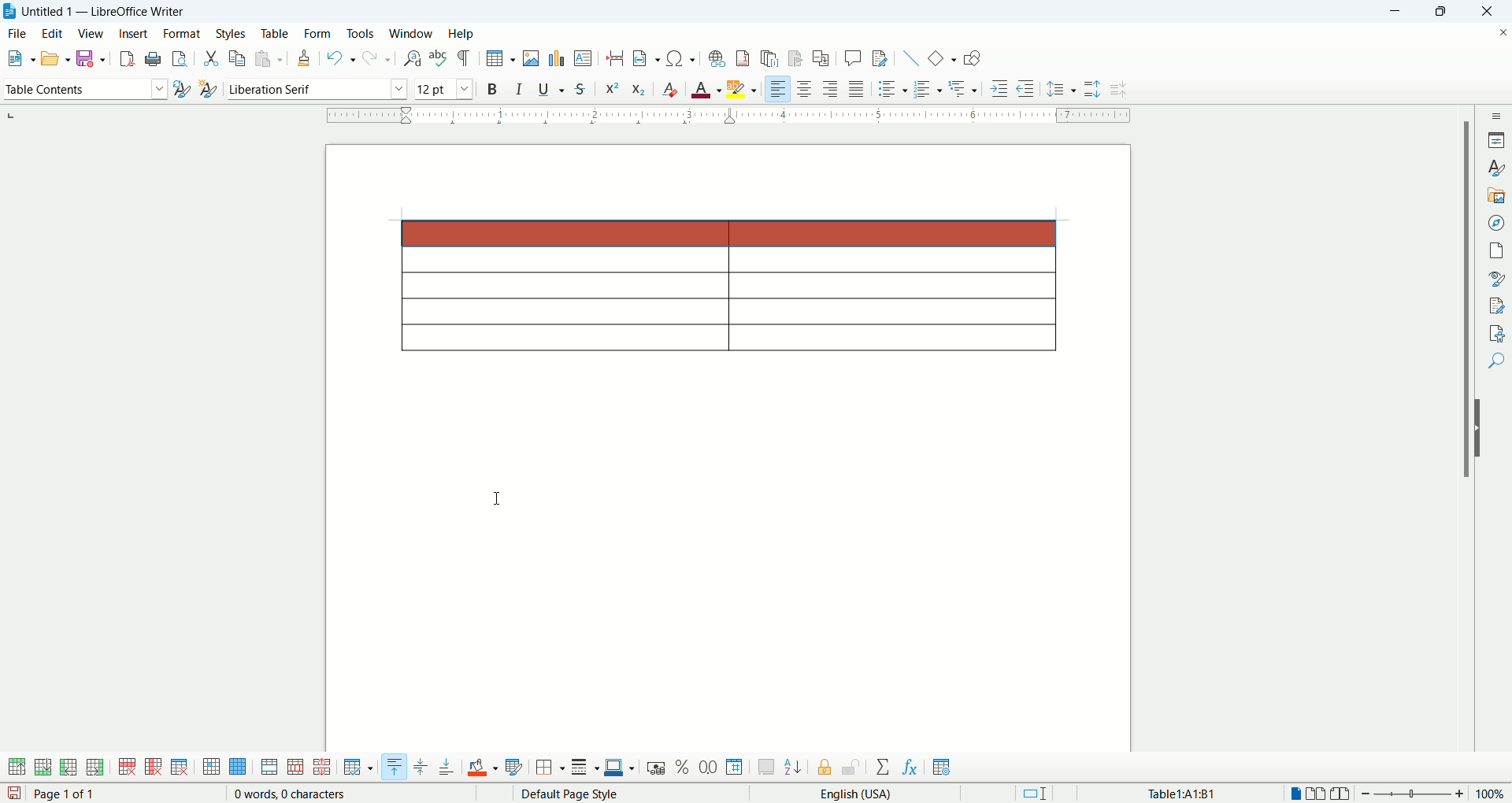  What do you see at coordinates (91, 33) in the screenshot?
I see `view` at bounding box center [91, 33].